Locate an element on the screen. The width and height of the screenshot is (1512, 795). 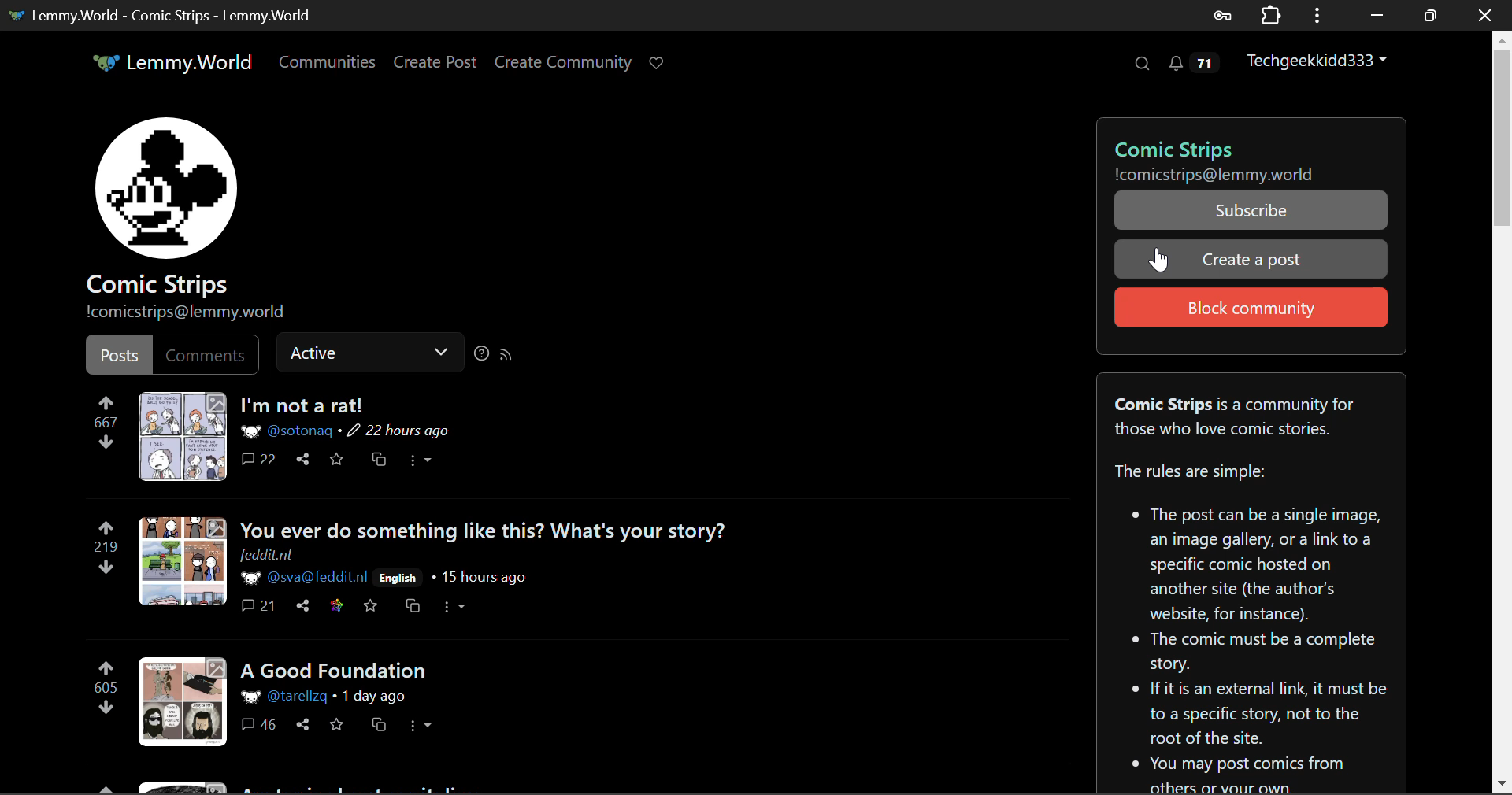
Lemmy.World is located at coordinates (170, 62).